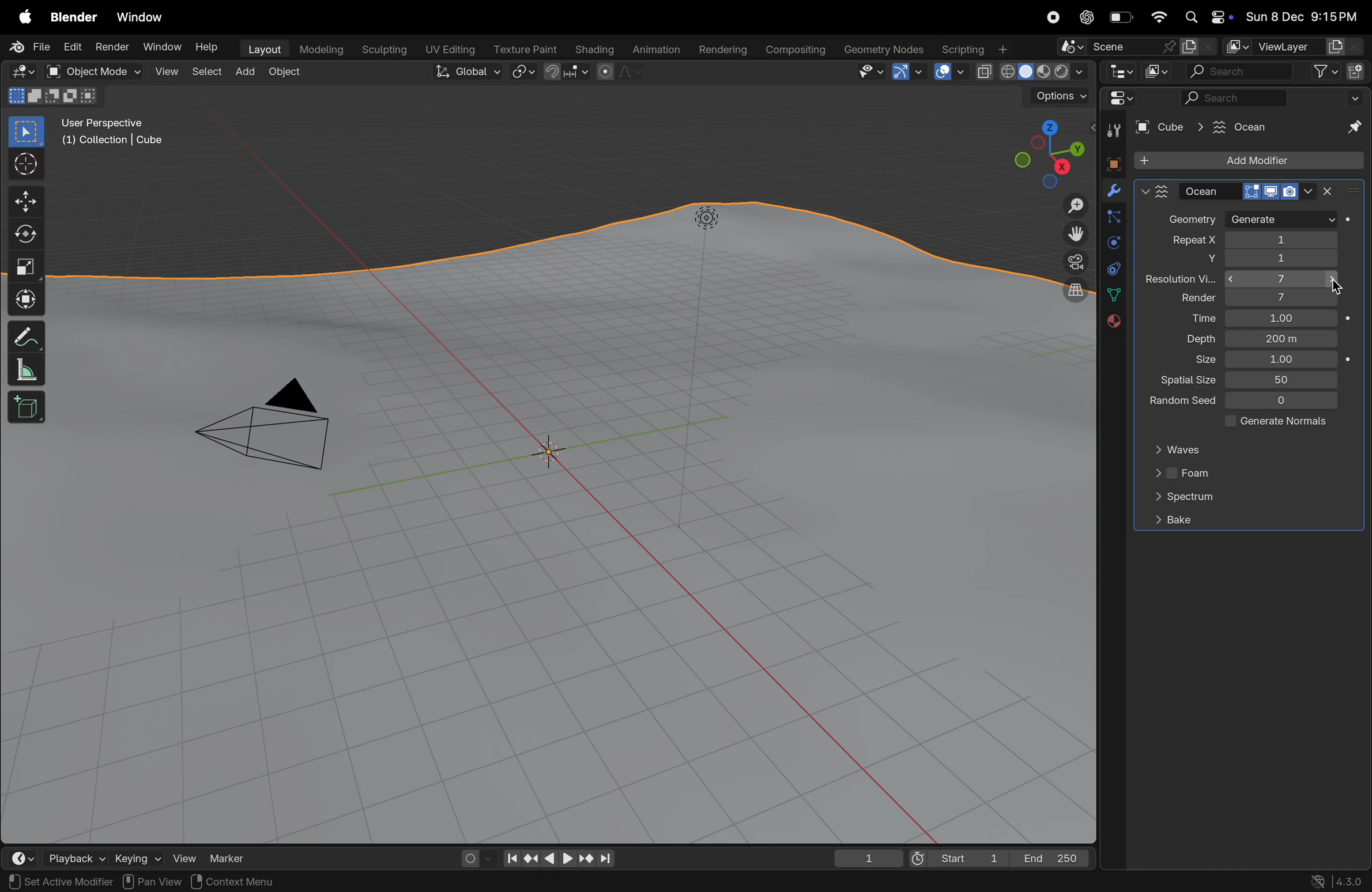 Image resolution: width=1372 pixels, height=892 pixels. What do you see at coordinates (1282, 240) in the screenshot?
I see `1` at bounding box center [1282, 240].